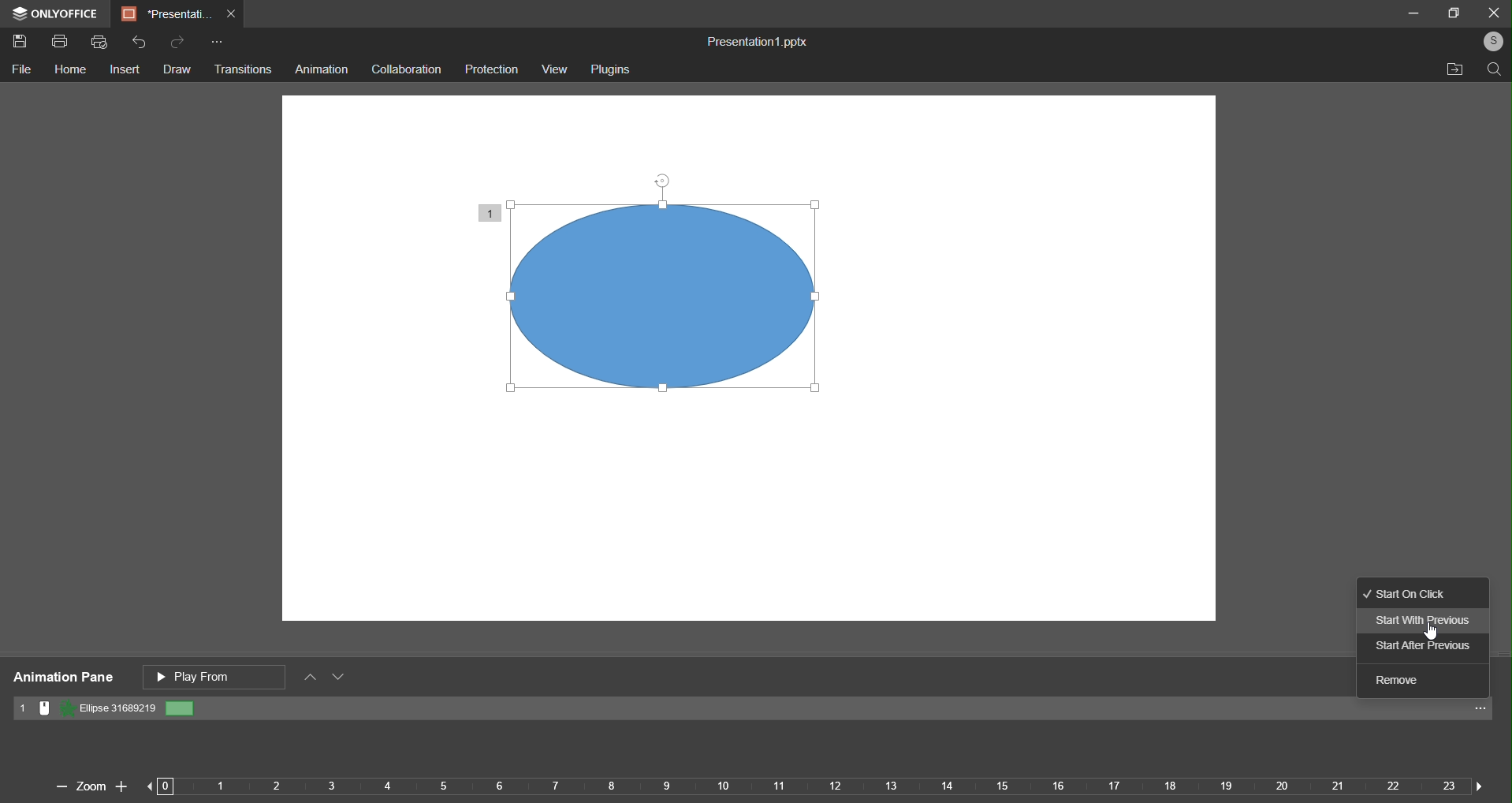 The width and height of the screenshot is (1512, 803). What do you see at coordinates (341, 679) in the screenshot?
I see `move down` at bounding box center [341, 679].